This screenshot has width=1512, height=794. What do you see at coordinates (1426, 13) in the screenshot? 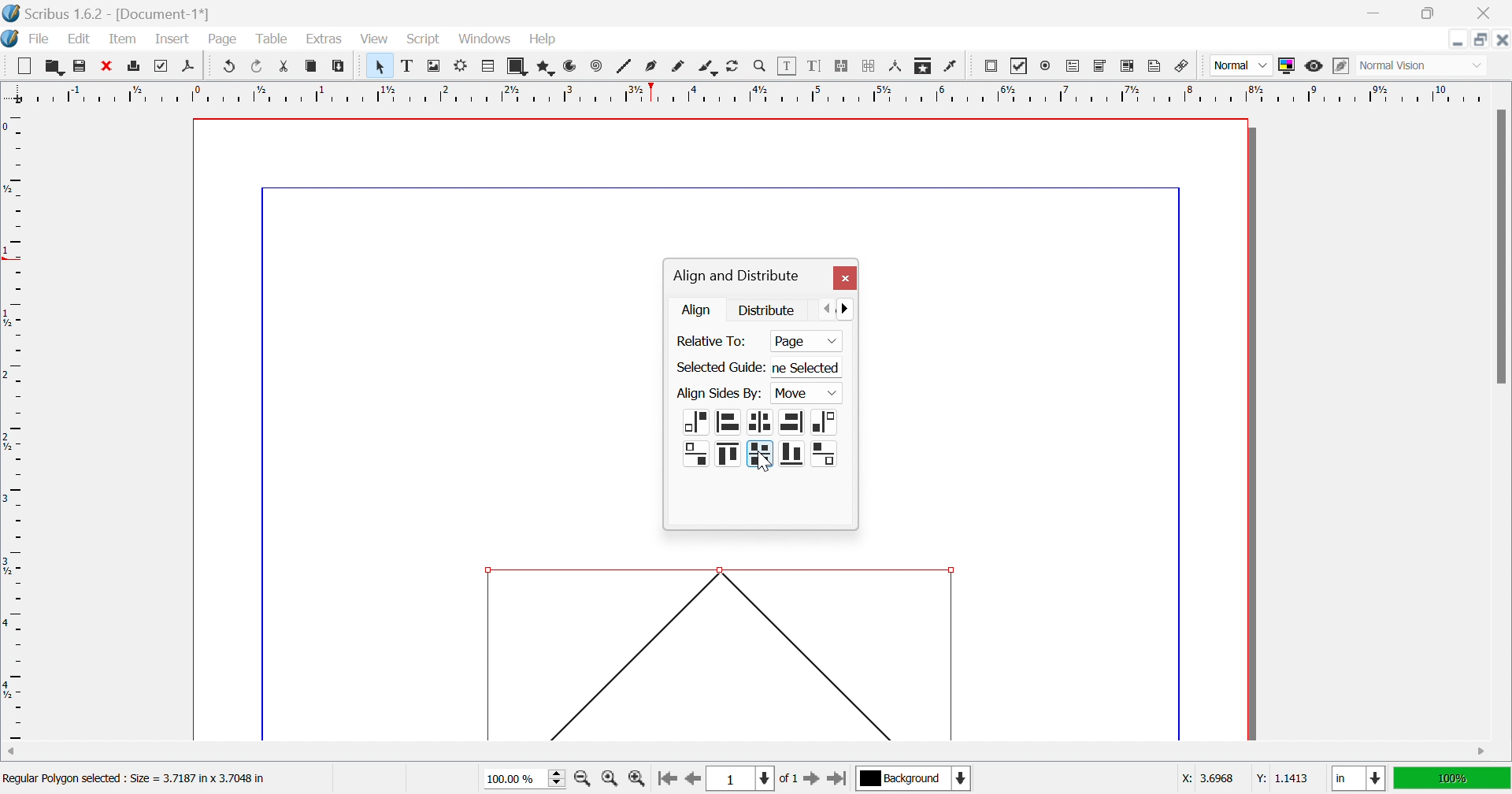
I see `Restore down` at bounding box center [1426, 13].